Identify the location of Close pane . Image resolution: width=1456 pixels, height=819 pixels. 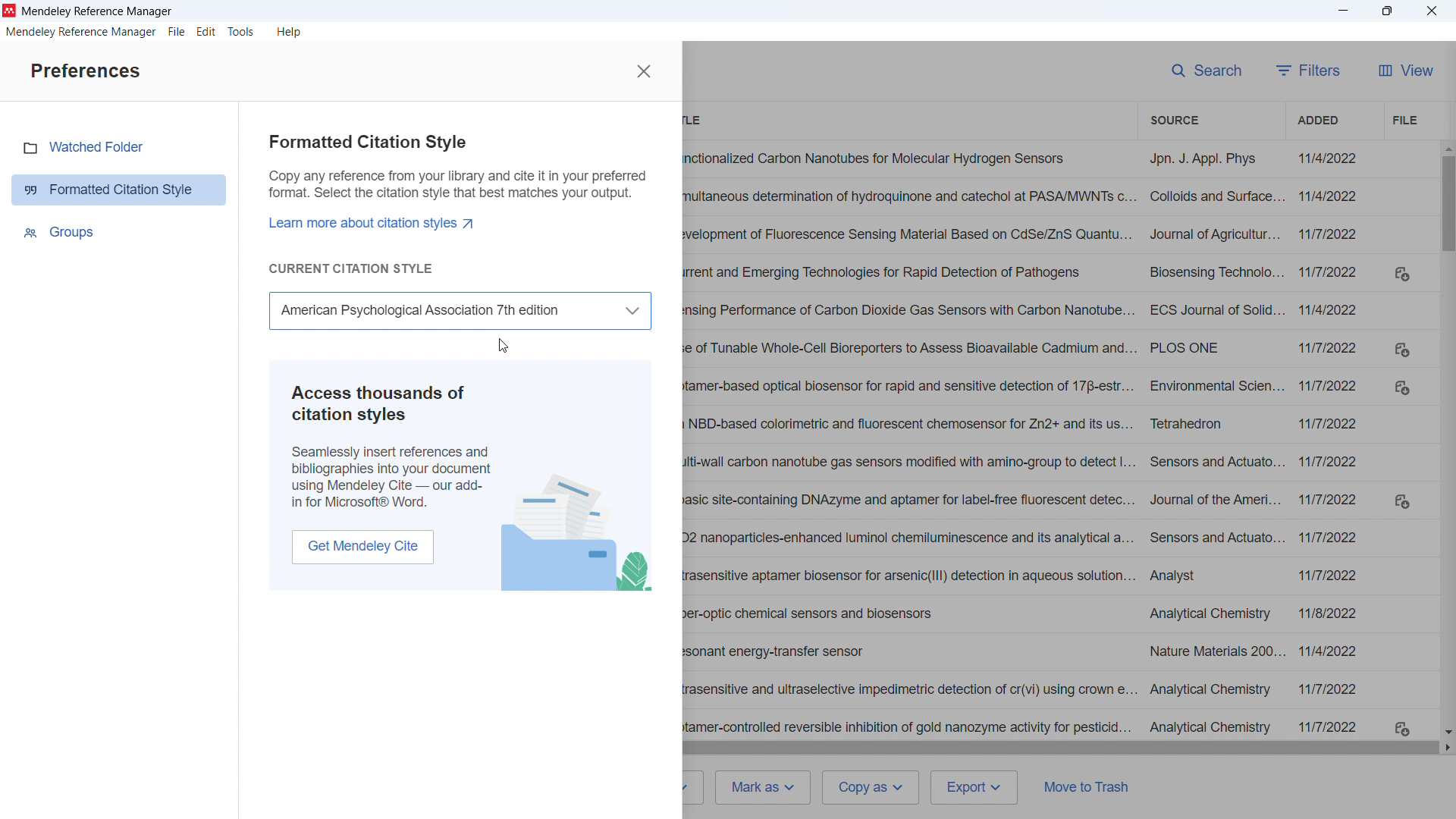
(643, 71).